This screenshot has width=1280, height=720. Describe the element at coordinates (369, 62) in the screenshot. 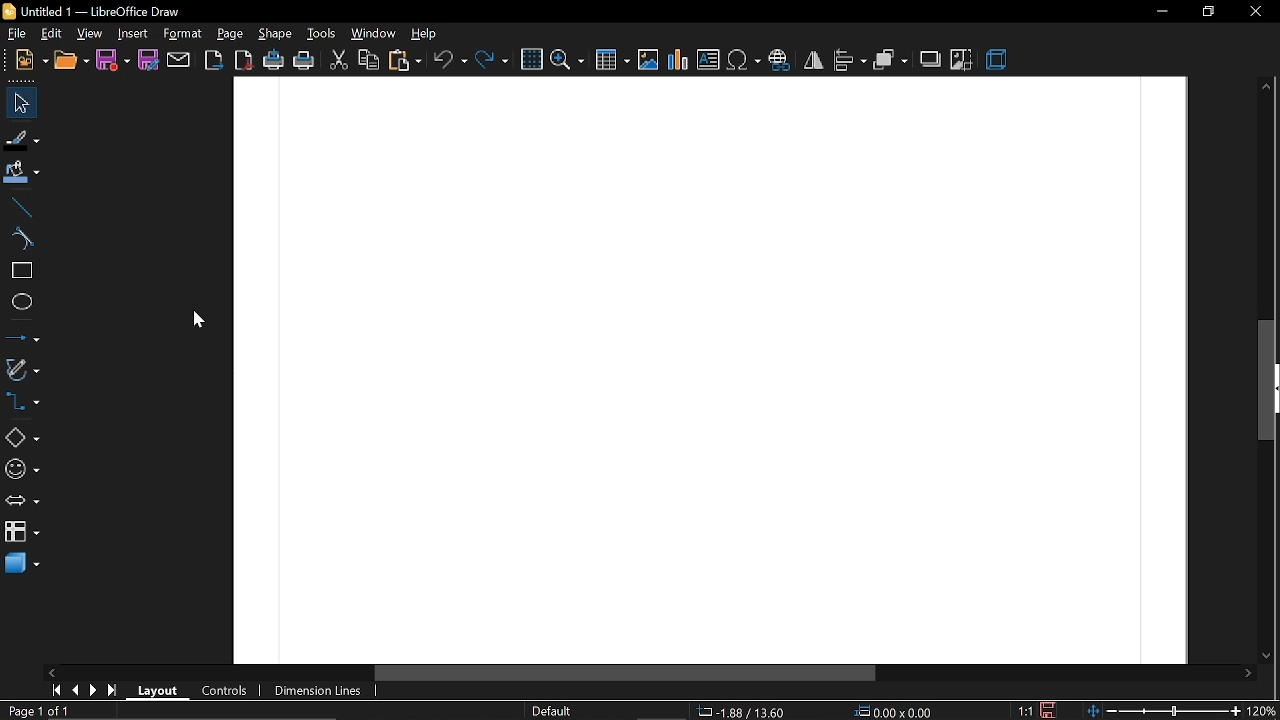

I see `copy` at that location.